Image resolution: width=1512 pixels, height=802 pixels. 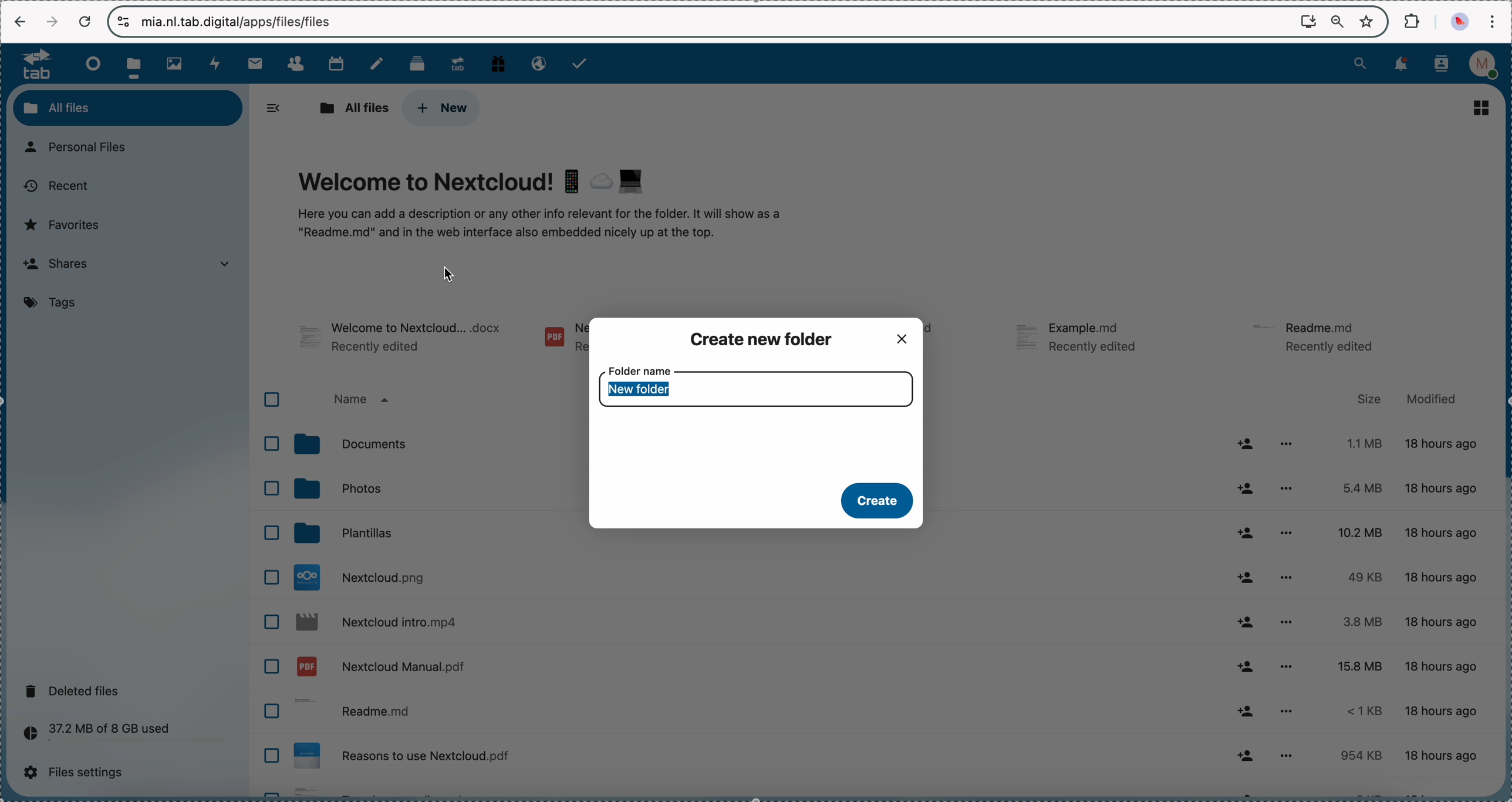 What do you see at coordinates (1482, 107) in the screenshot?
I see `list view` at bounding box center [1482, 107].